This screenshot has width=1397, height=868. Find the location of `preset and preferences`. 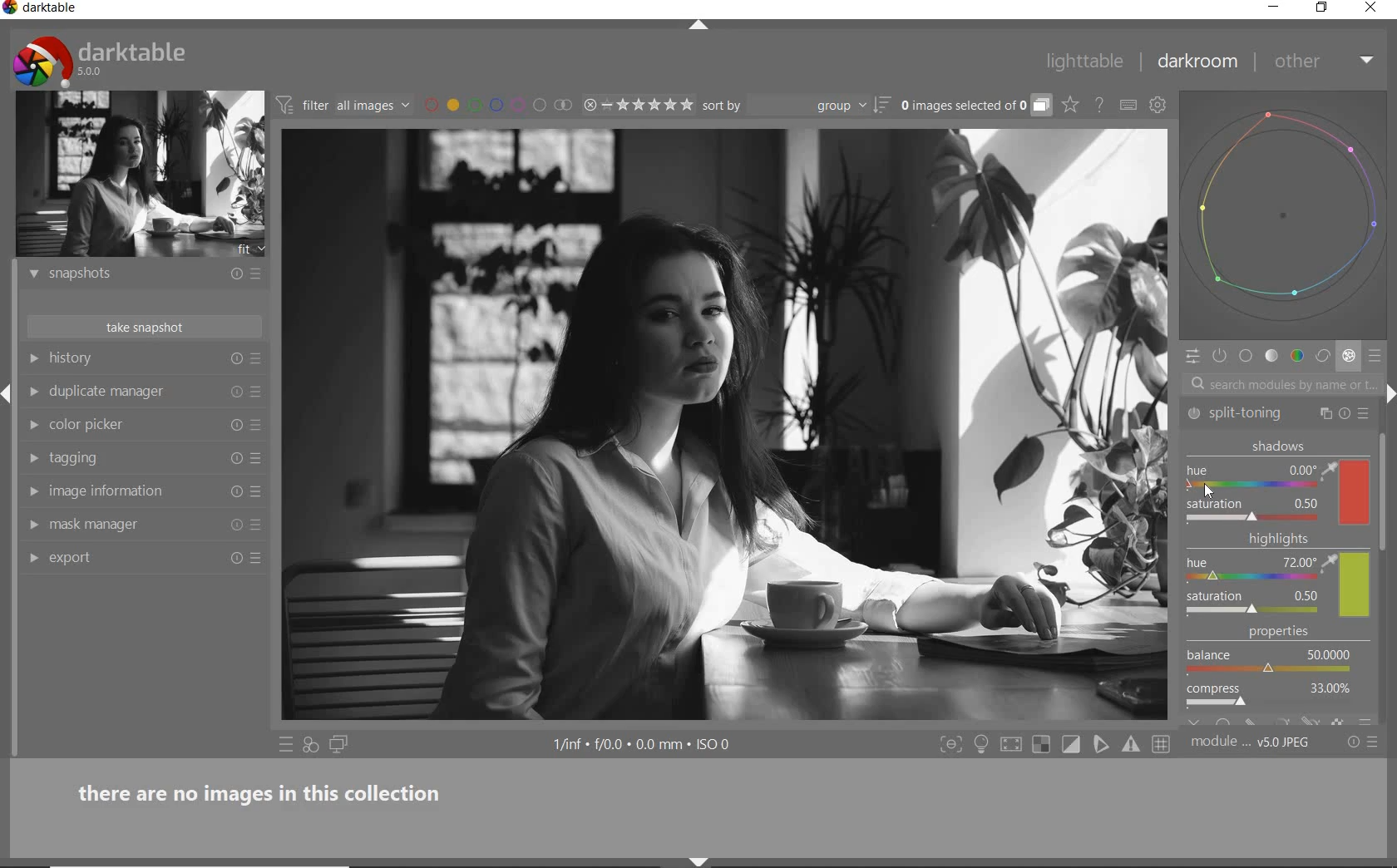

preset and preferences is located at coordinates (259, 558).